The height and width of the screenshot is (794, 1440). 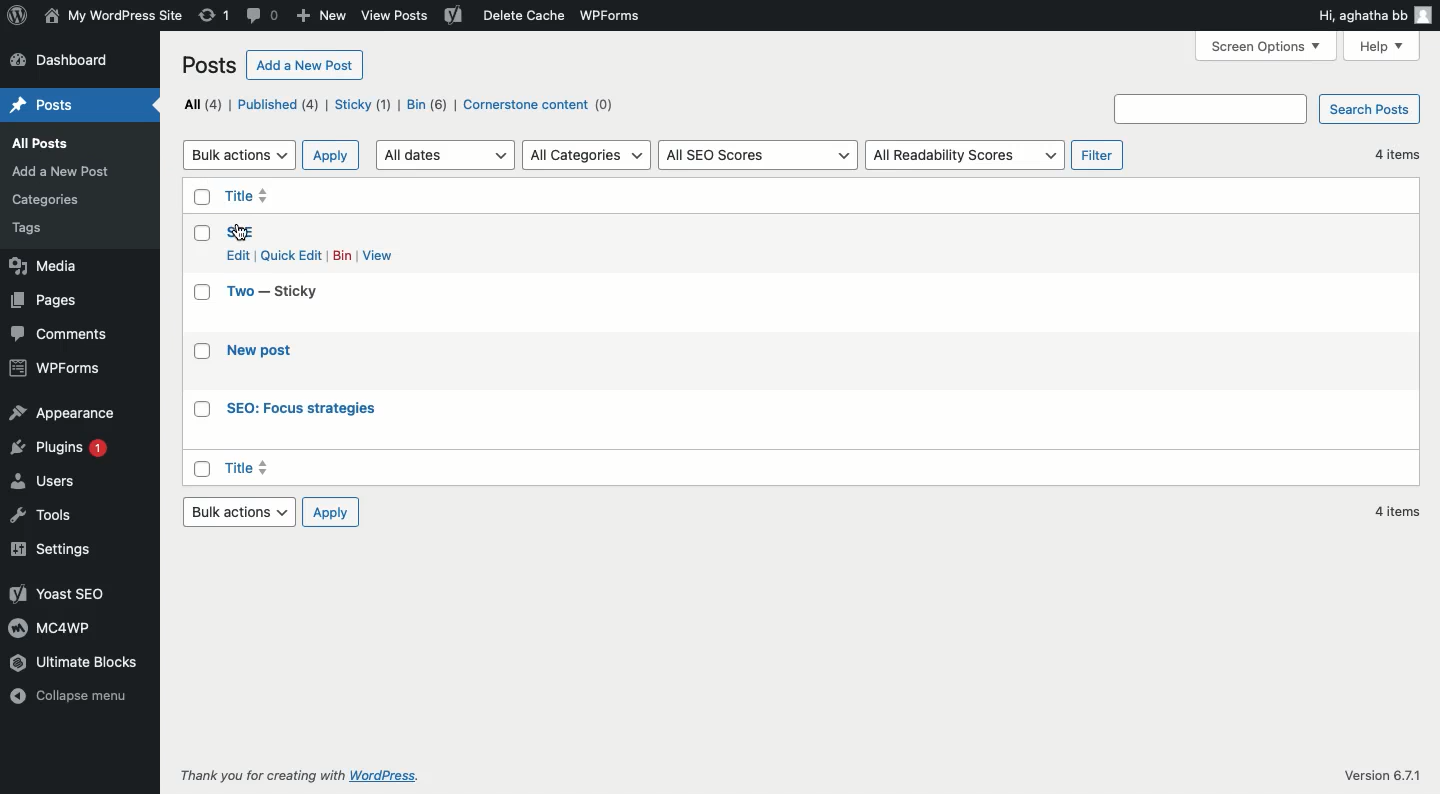 I want to click on Sticky, so click(x=363, y=104).